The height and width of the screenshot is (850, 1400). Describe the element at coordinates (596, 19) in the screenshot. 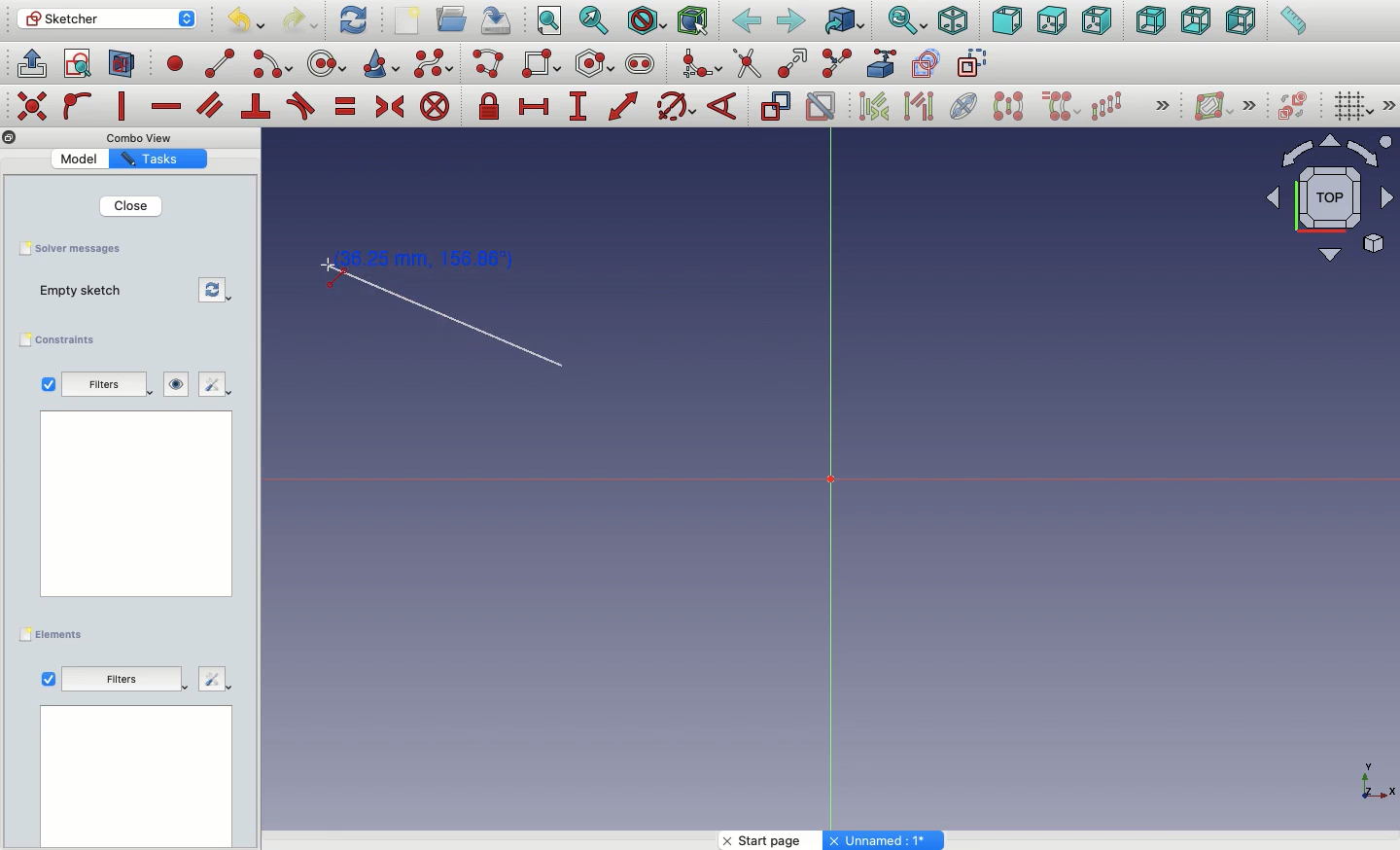

I see `Fit selection` at that location.